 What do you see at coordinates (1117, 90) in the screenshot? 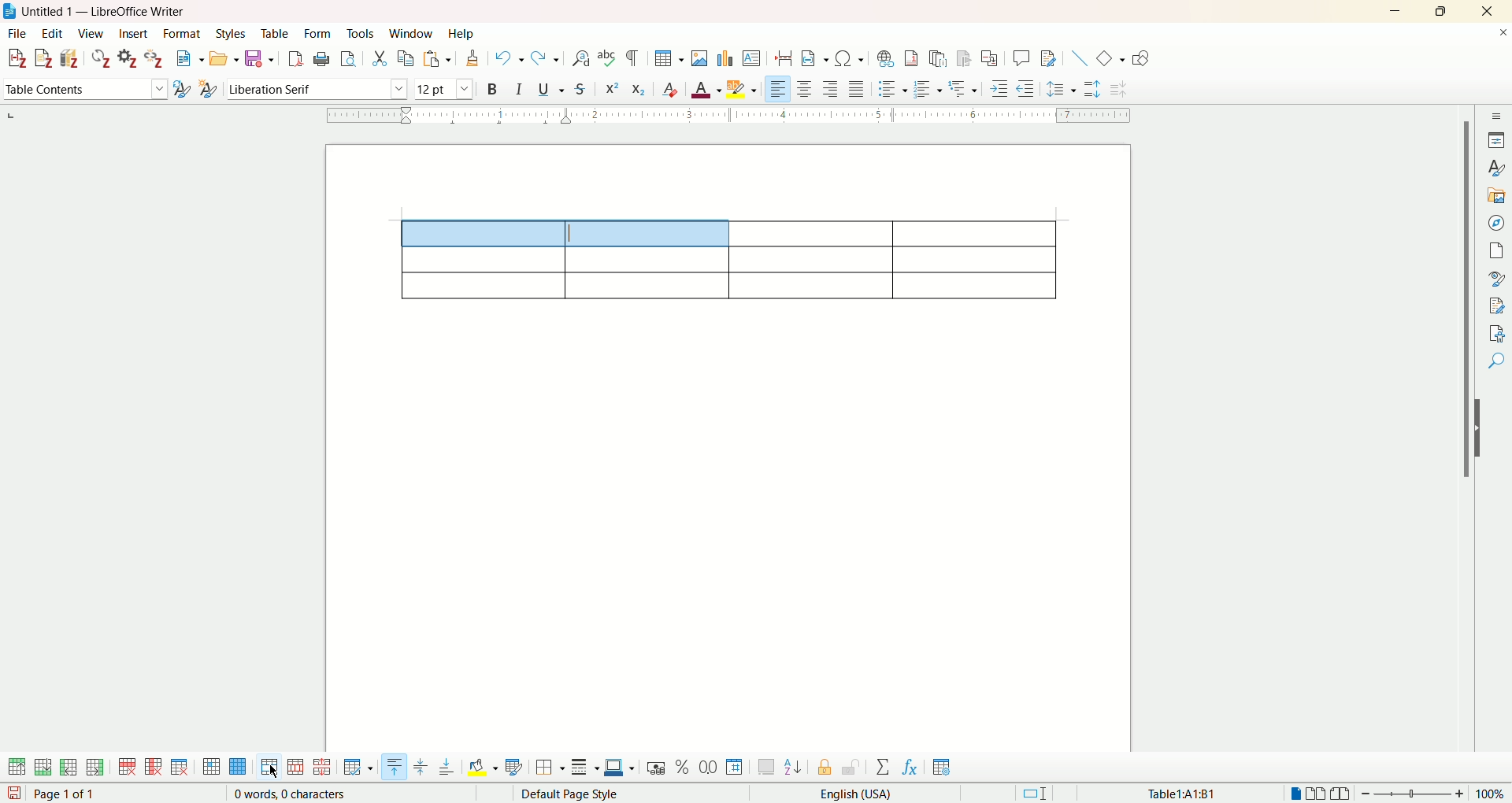
I see `decrease paragraph spacing` at bounding box center [1117, 90].